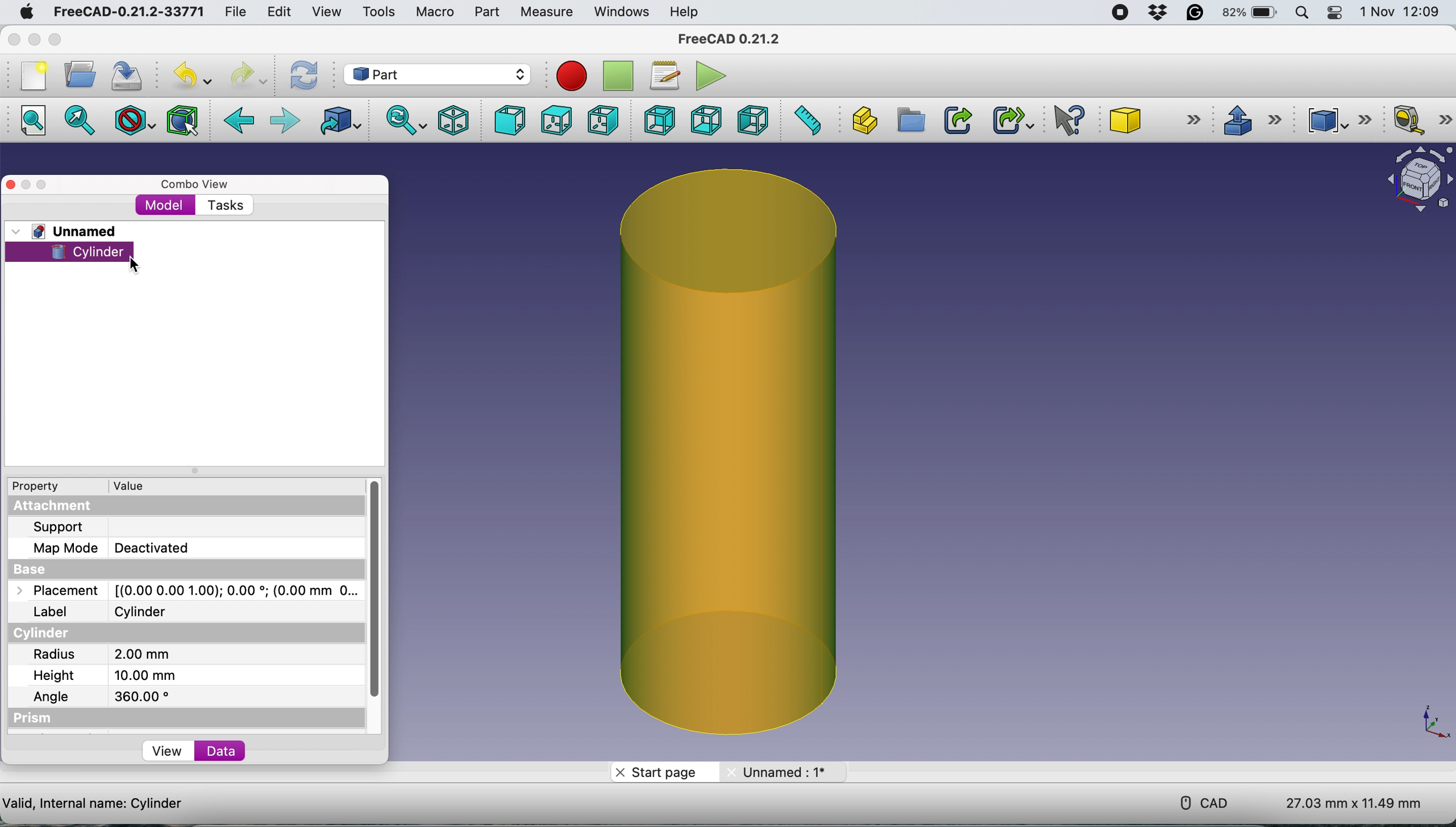 This screenshot has width=1456, height=827. I want to click on tools, so click(382, 12).